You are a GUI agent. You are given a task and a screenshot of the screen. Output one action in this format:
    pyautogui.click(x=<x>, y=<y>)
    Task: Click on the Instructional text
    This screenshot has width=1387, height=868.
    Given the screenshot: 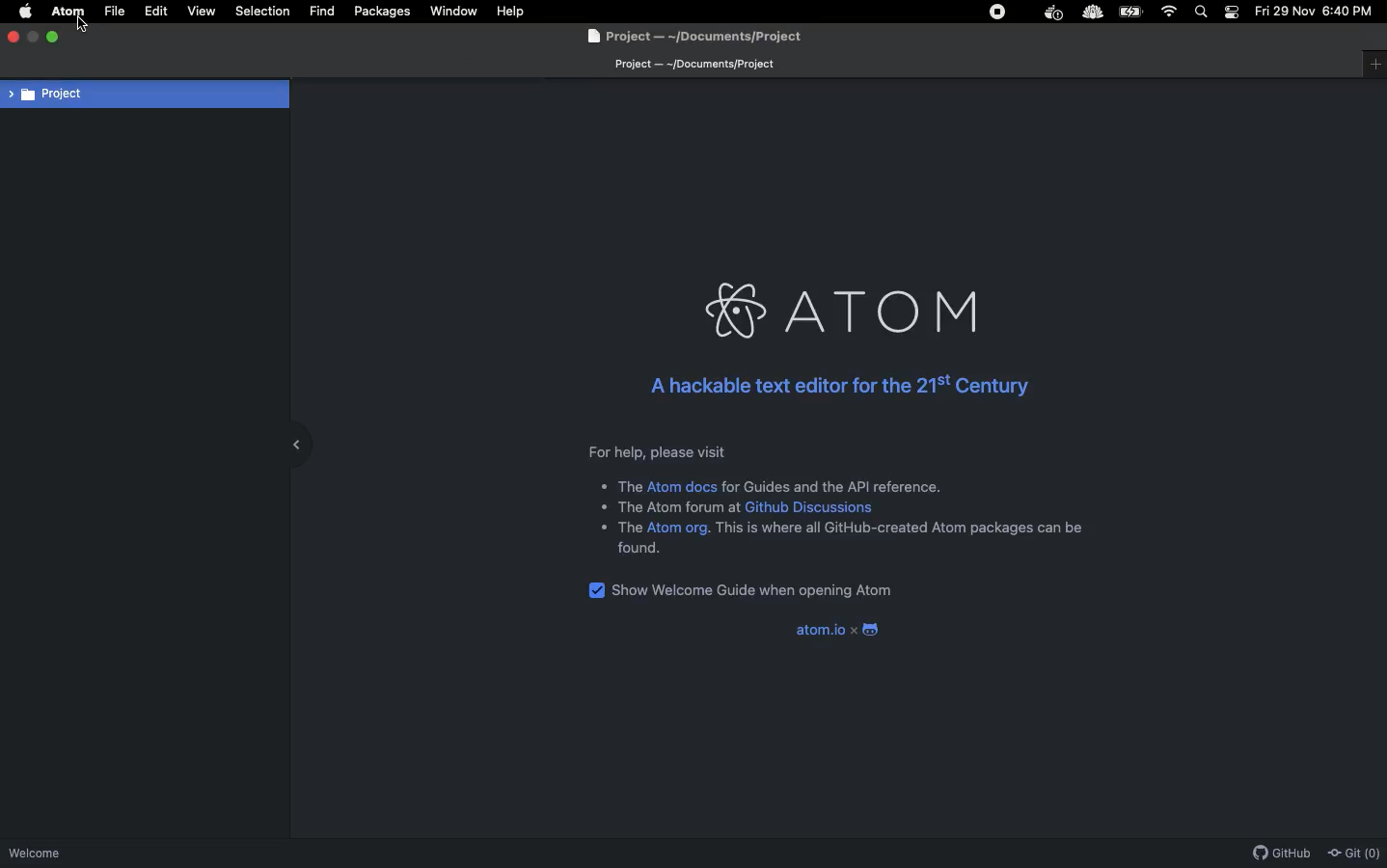 What is the action you would take?
    pyautogui.click(x=820, y=451)
    